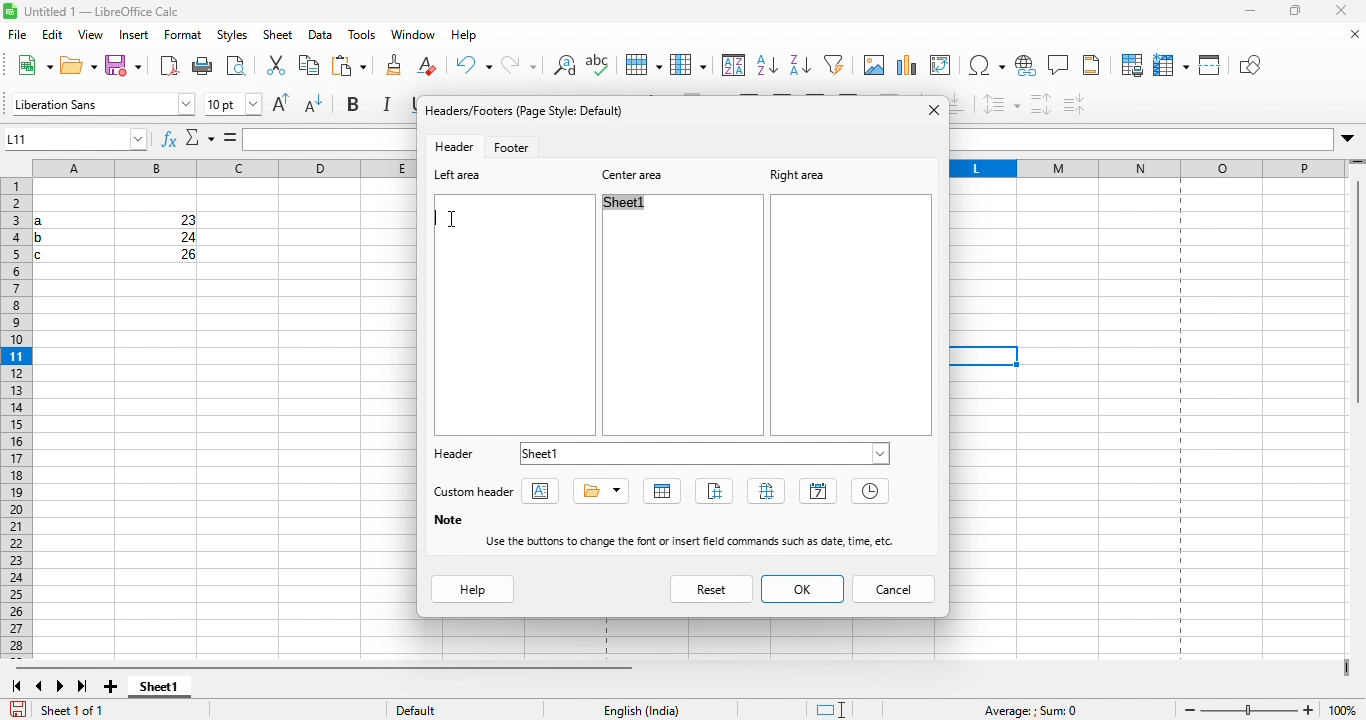 This screenshot has width=1366, height=720. I want to click on rows, so click(15, 419).